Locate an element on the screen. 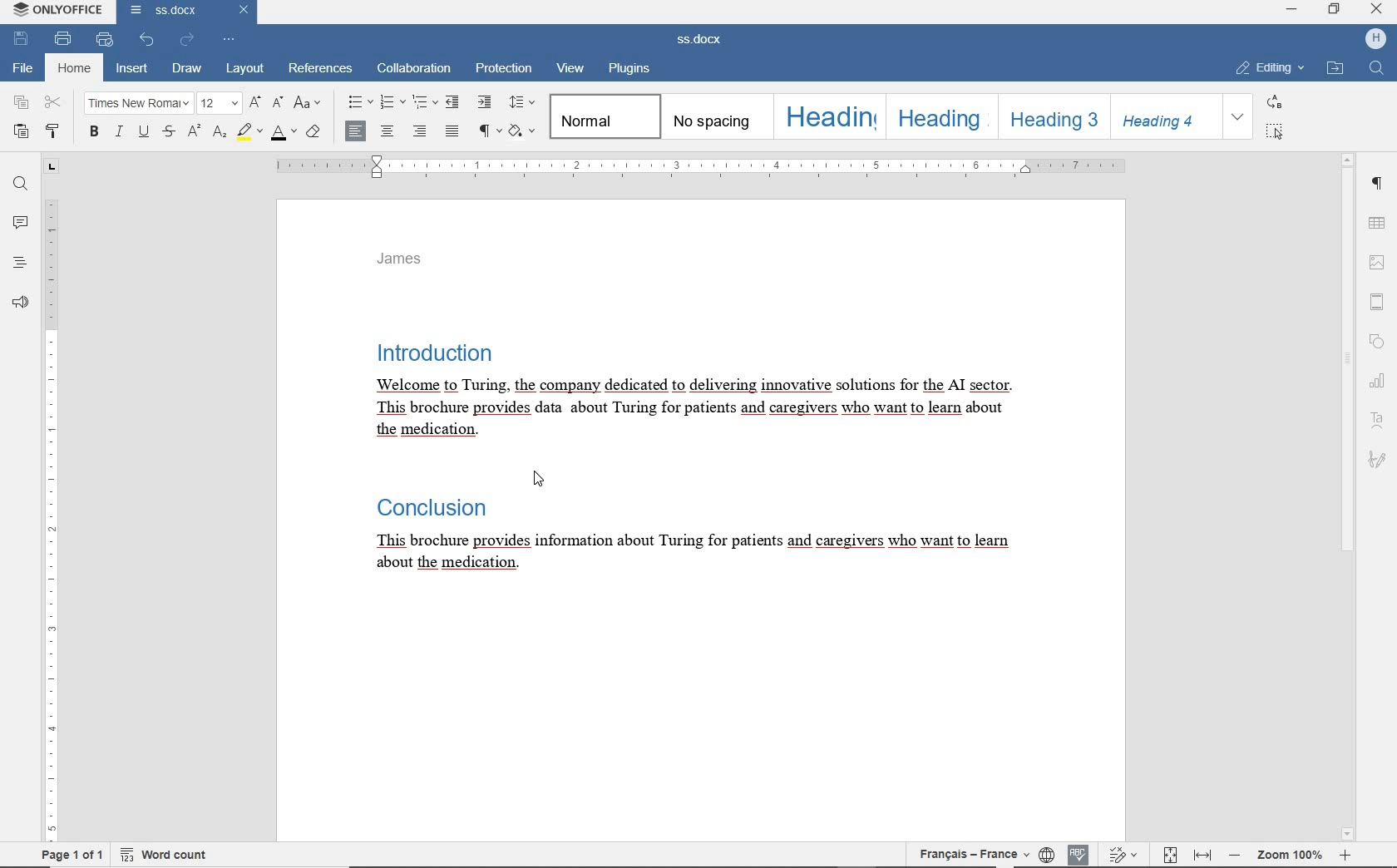  RULER is located at coordinates (698, 167).